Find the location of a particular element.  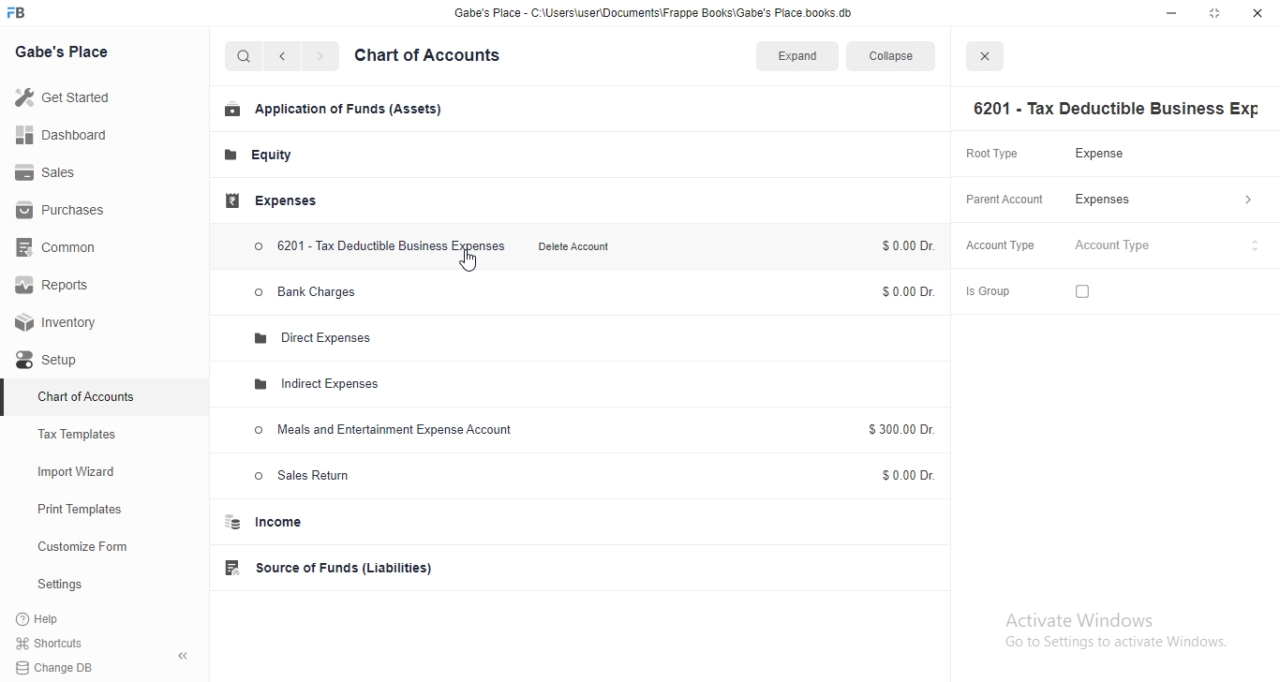

6201 - Tax Deductible Business Expenses is located at coordinates (376, 245).